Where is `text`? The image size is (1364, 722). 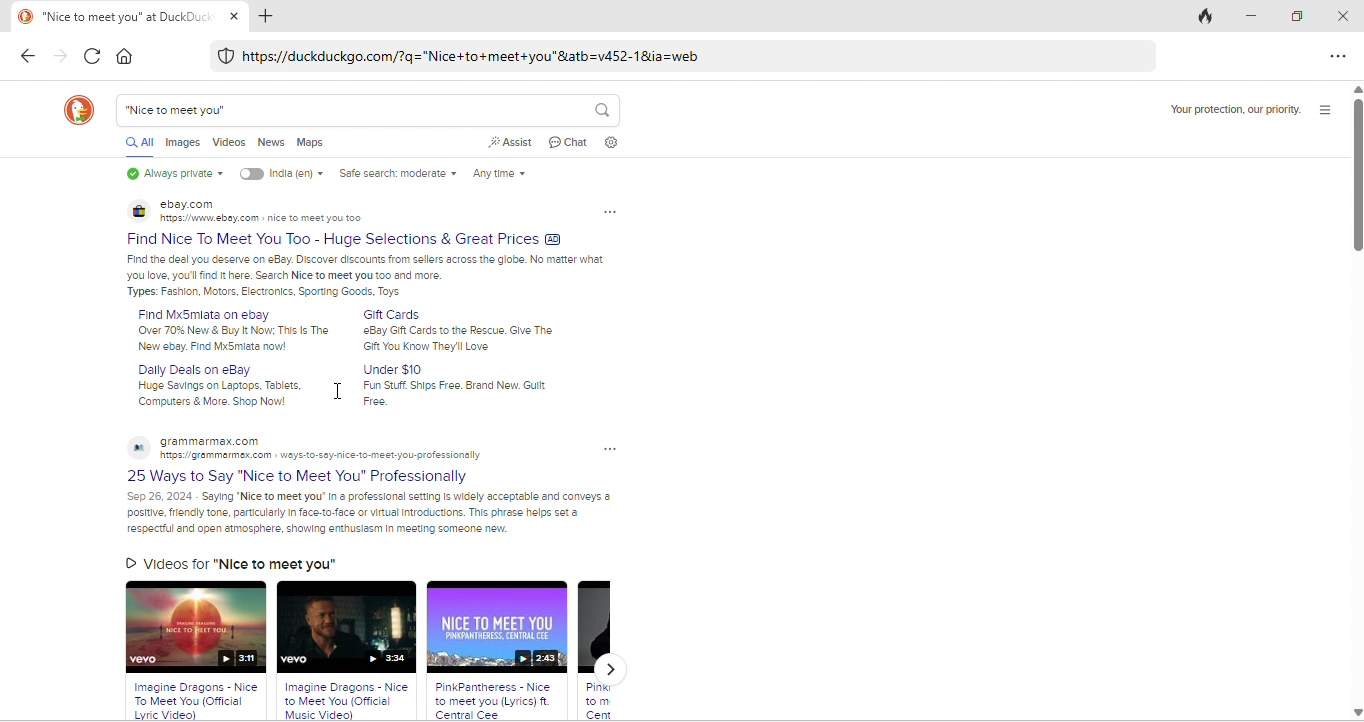
text is located at coordinates (213, 442).